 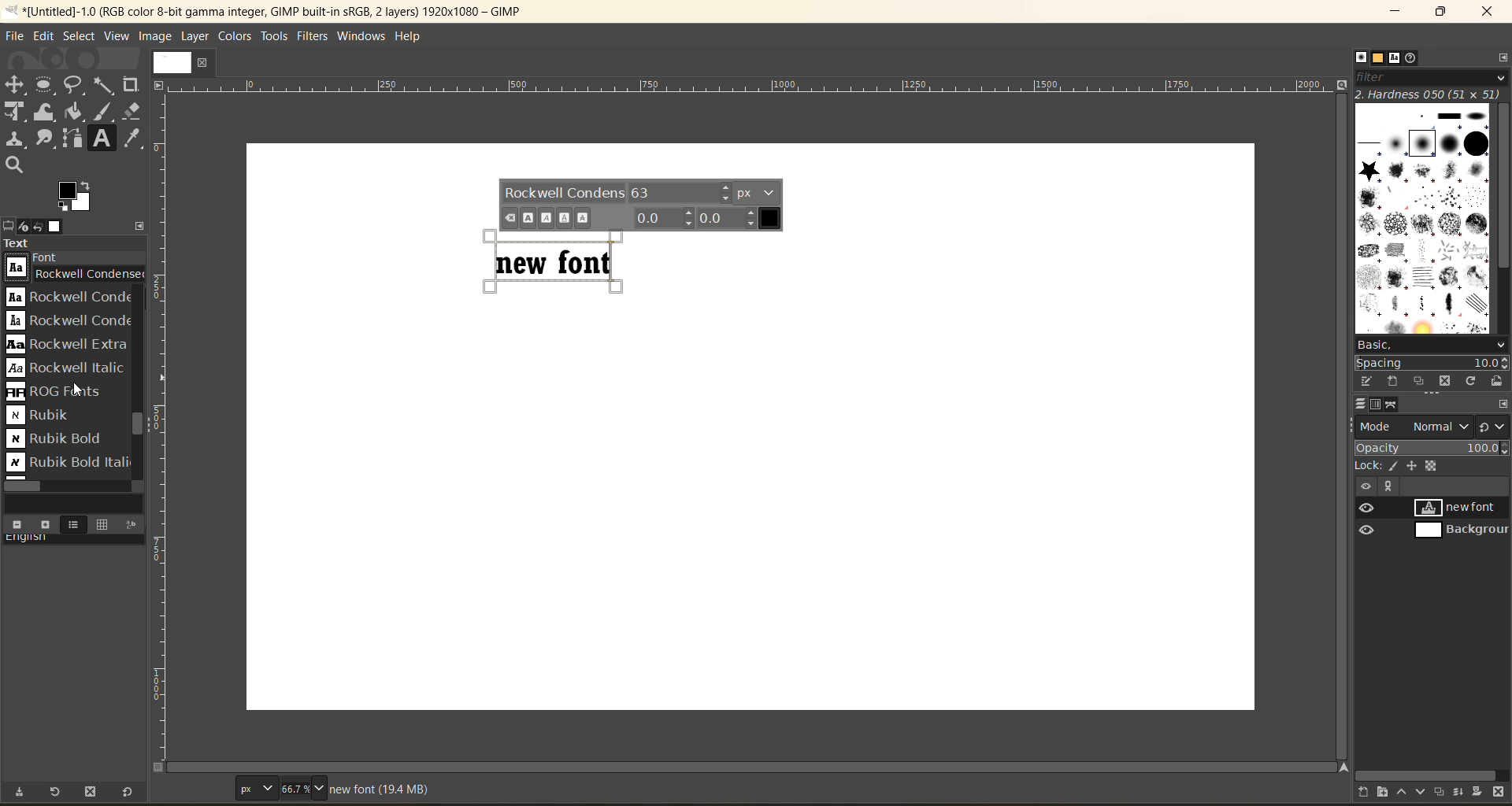 I want to click on undo history, so click(x=38, y=227).